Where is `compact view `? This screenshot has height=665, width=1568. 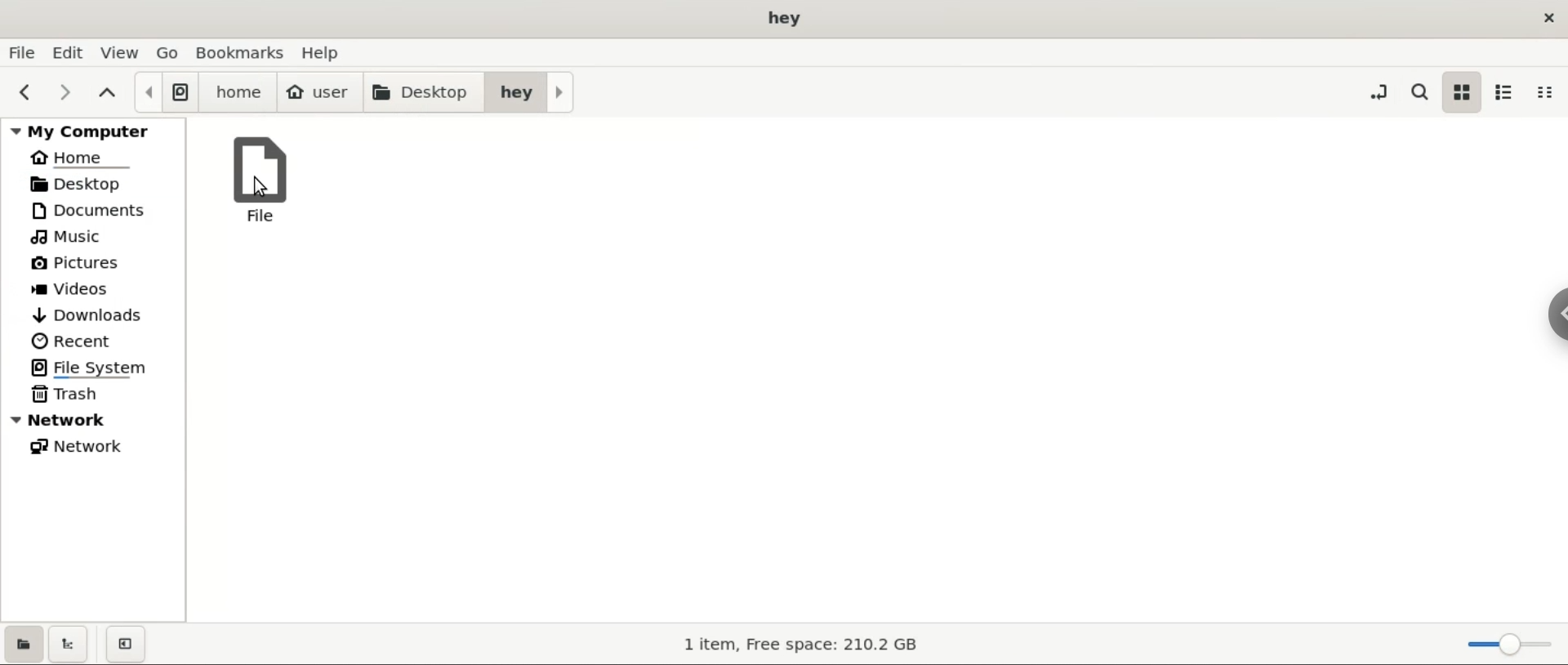 compact view  is located at coordinates (1549, 91).